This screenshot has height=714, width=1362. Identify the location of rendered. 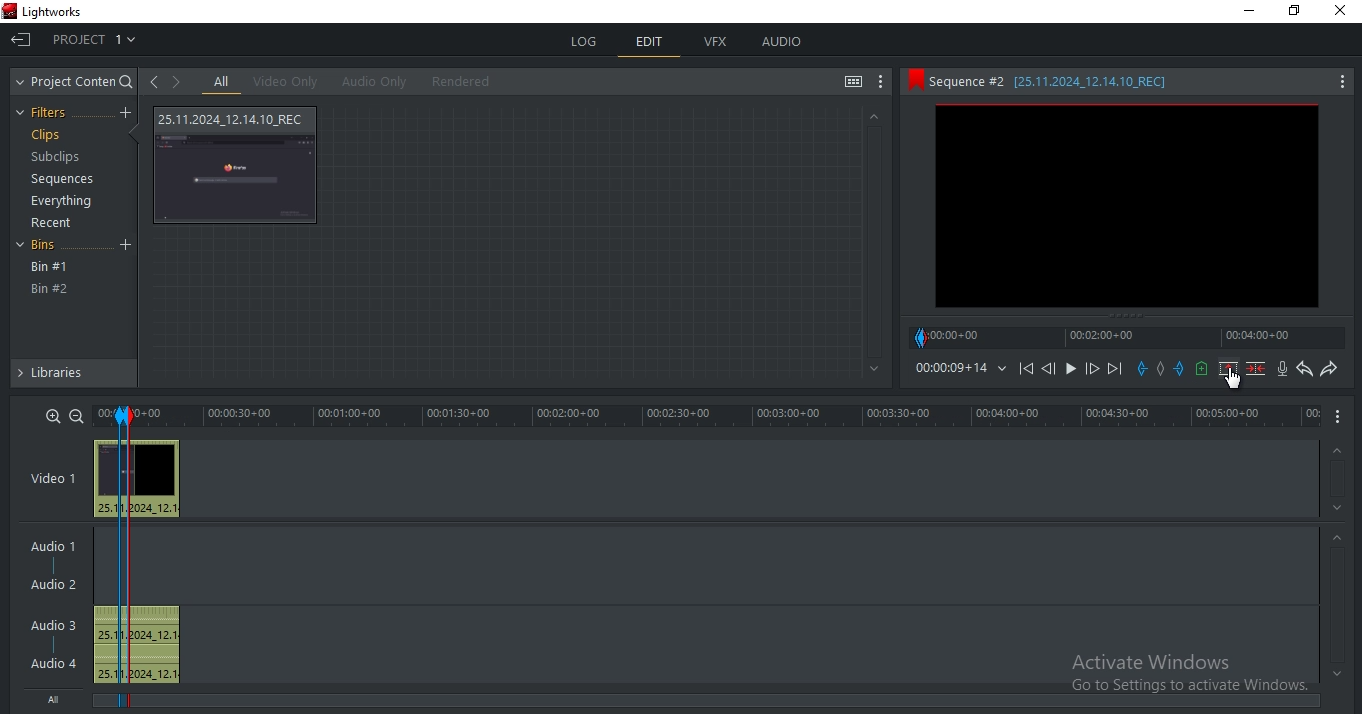
(461, 81).